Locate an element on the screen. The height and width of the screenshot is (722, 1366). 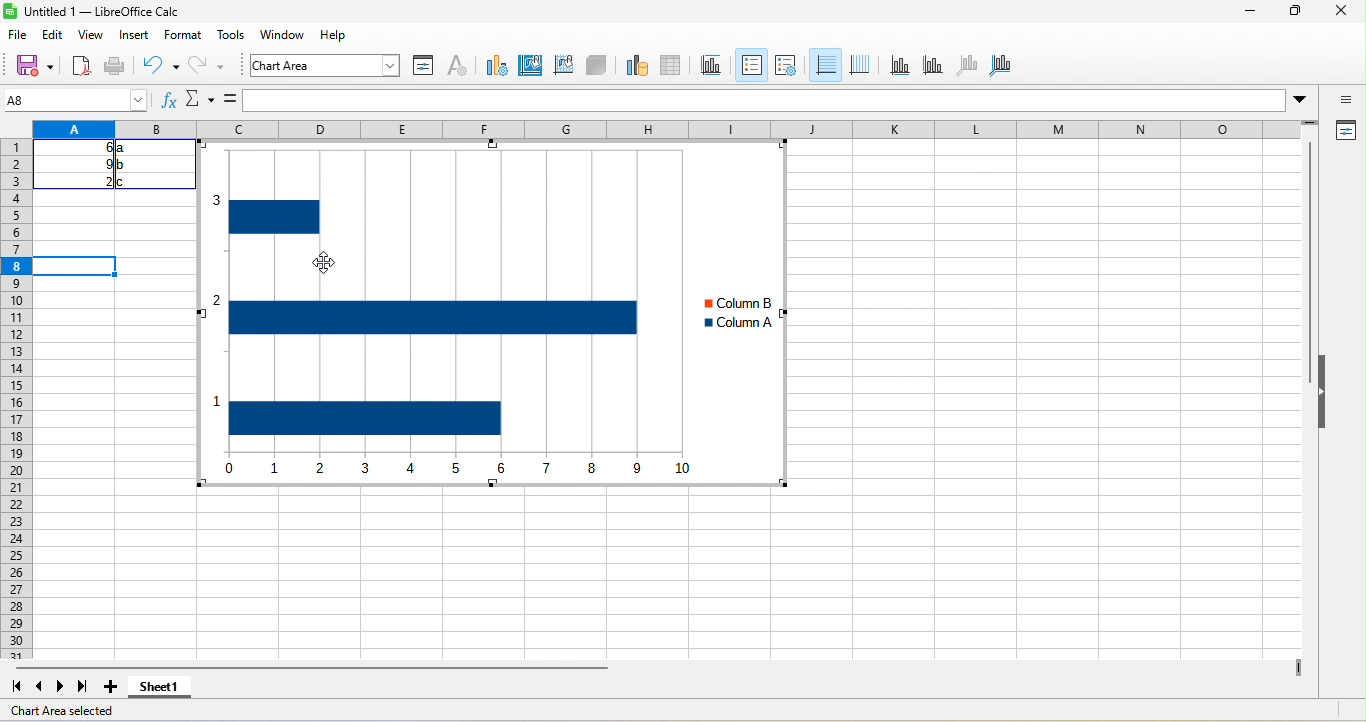
open is located at coordinates (79, 64).